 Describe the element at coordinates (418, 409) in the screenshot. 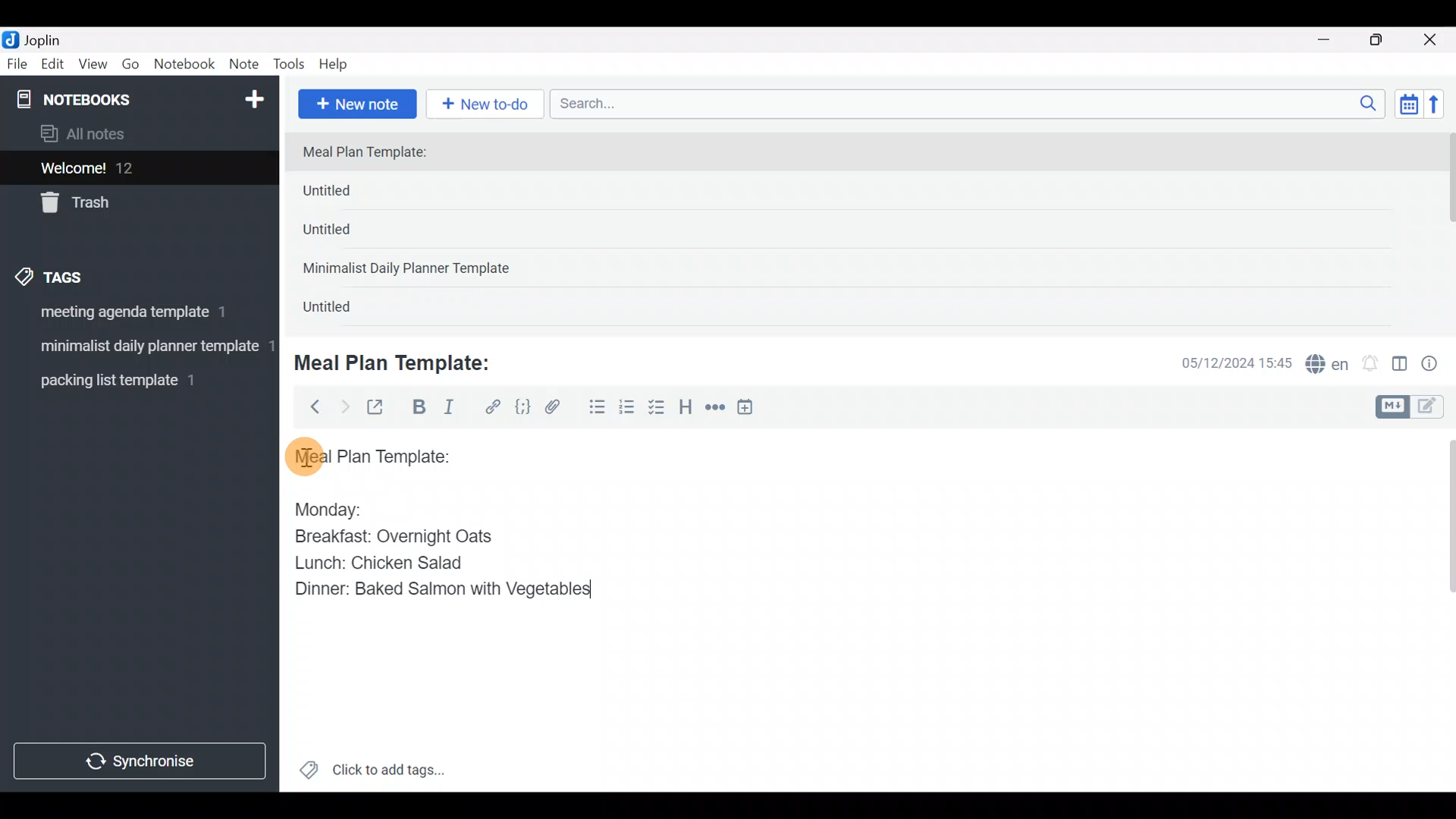

I see `Bold` at that location.